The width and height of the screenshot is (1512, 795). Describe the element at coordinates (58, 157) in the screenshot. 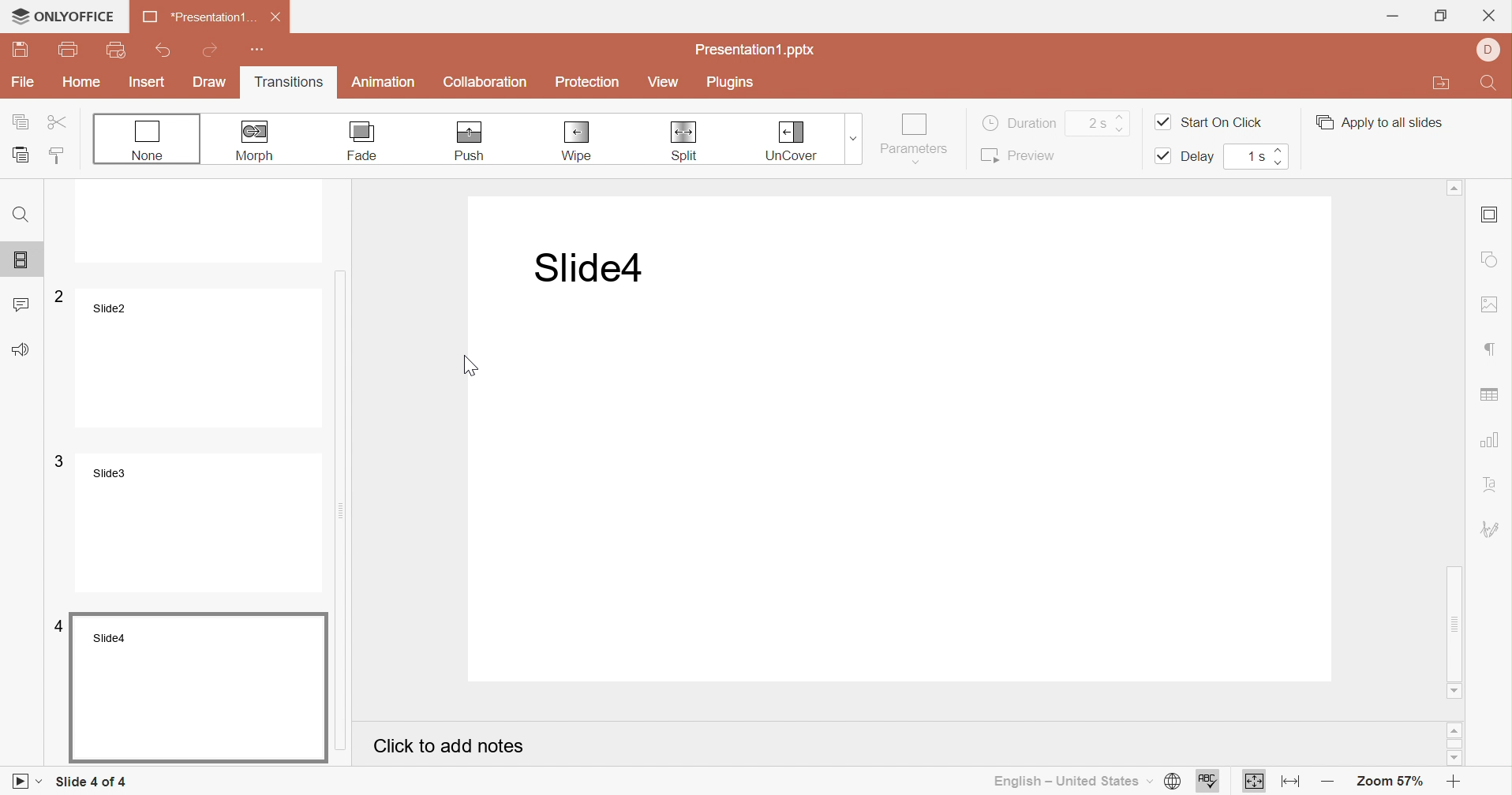

I see `Copy style` at that location.